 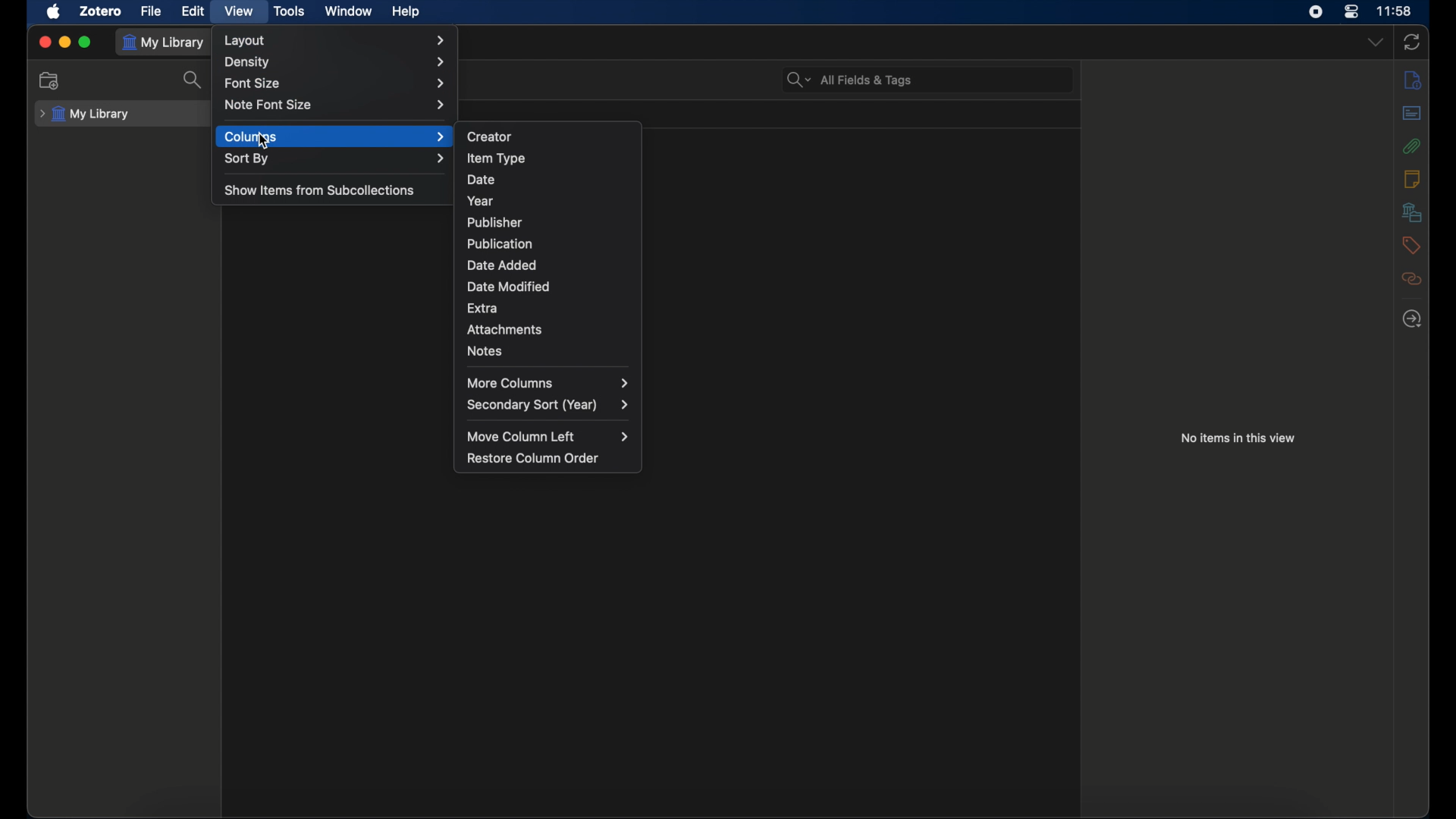 I want to click on minimize, so click(x=64, y=42).